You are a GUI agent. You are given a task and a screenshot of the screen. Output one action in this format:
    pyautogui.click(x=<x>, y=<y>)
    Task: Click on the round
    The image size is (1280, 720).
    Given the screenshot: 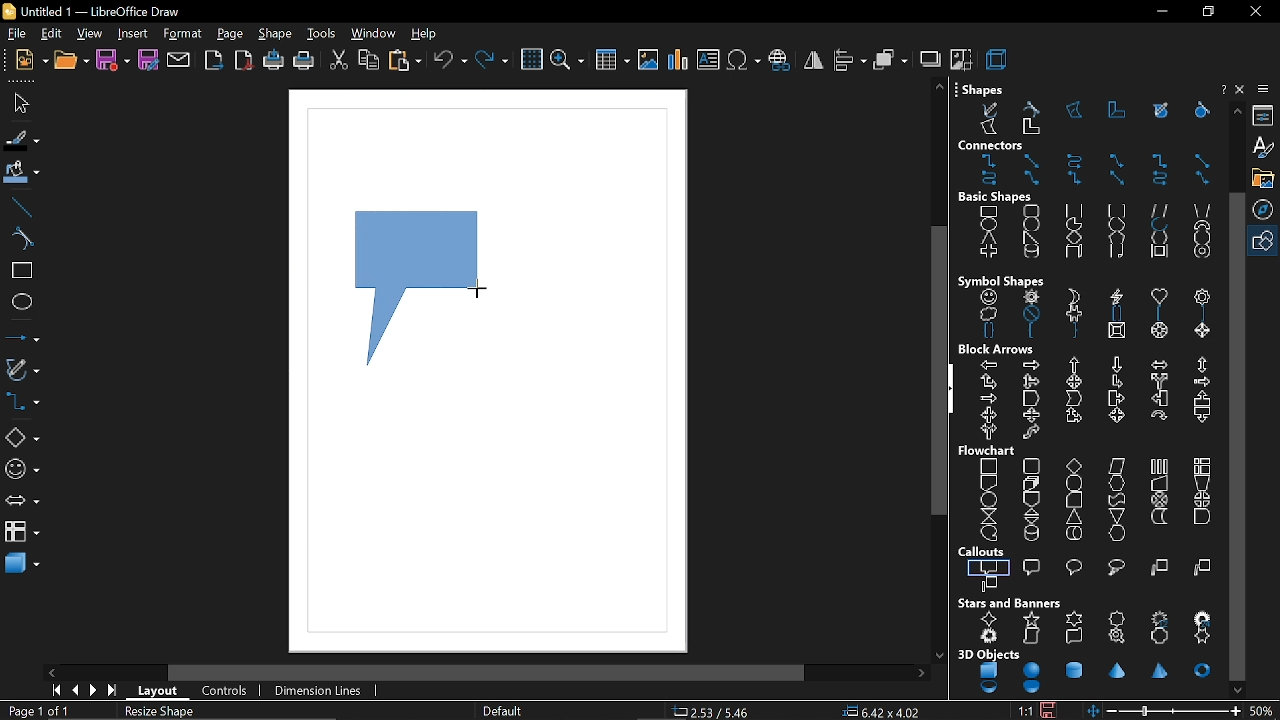 What is the action you would take?
    pyautogui.click(x=1076, y=566)
    